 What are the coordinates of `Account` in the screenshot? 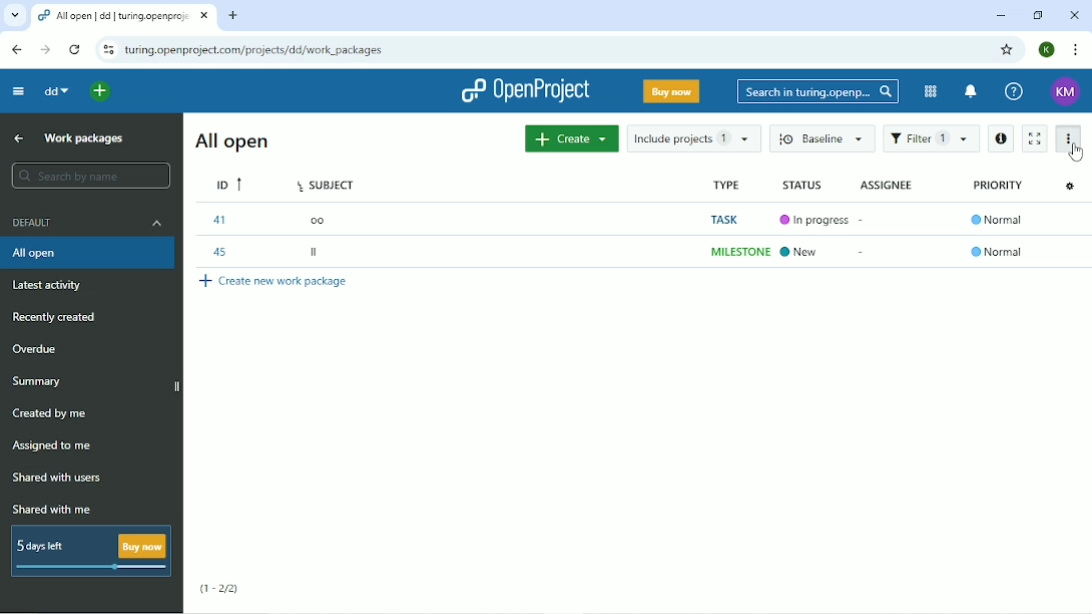 It's located at (1066, 92).